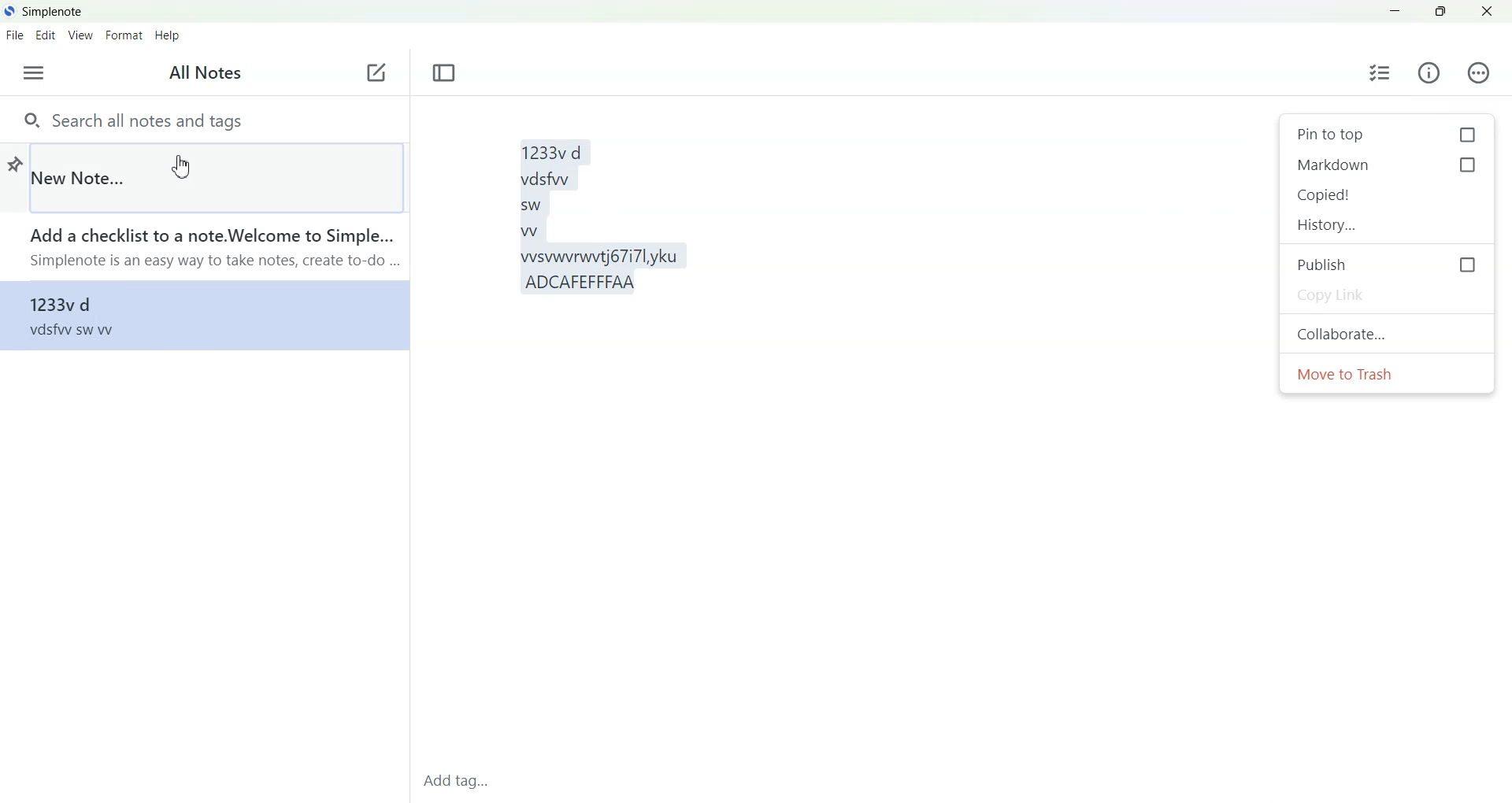 The width and height of the screenshot is (1512, 803). Describe the element at coordinates (170, 36) in the screenshot. I see `Help` at that location.